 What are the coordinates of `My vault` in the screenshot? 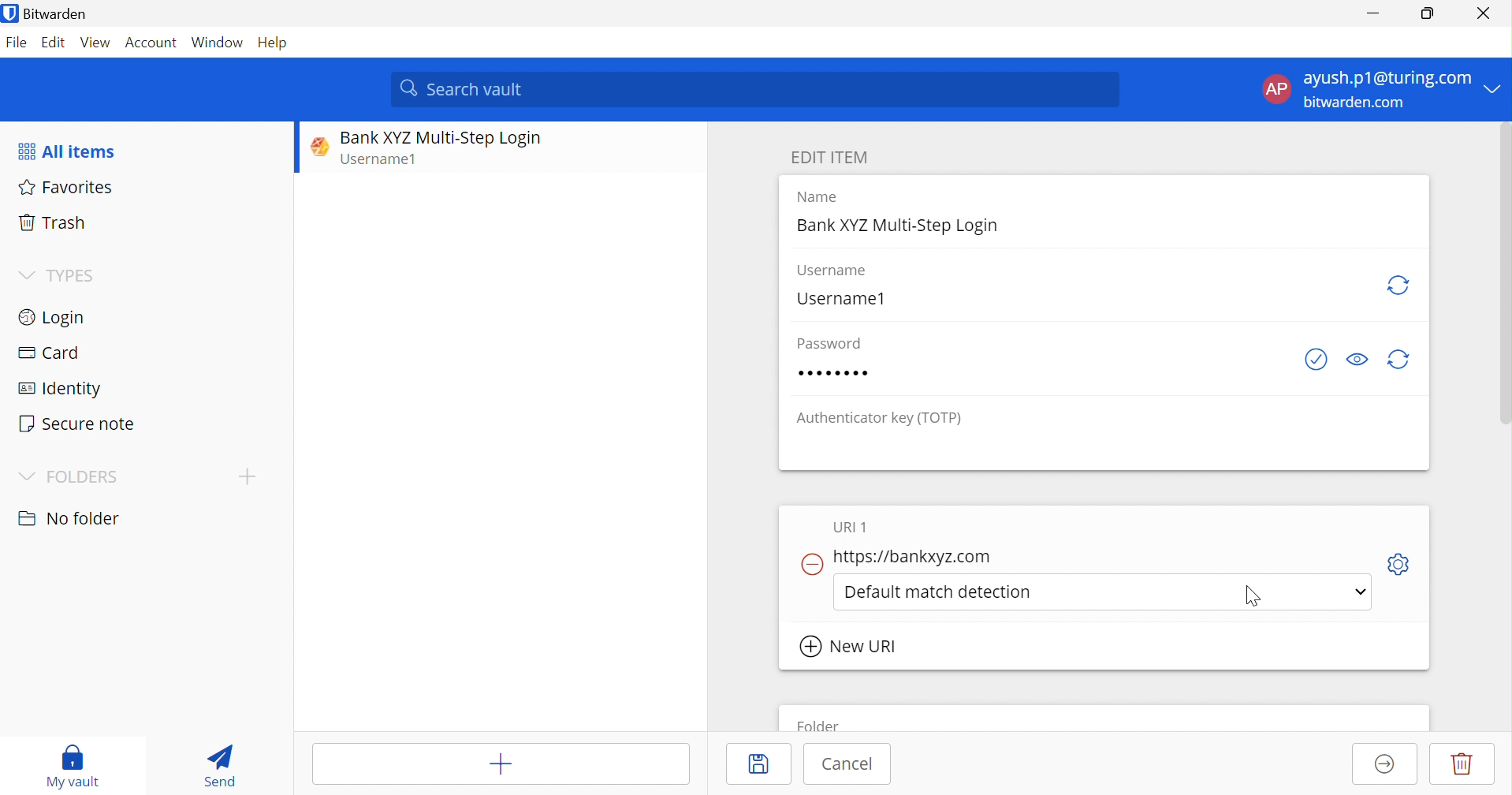 It's located at (72, 766).